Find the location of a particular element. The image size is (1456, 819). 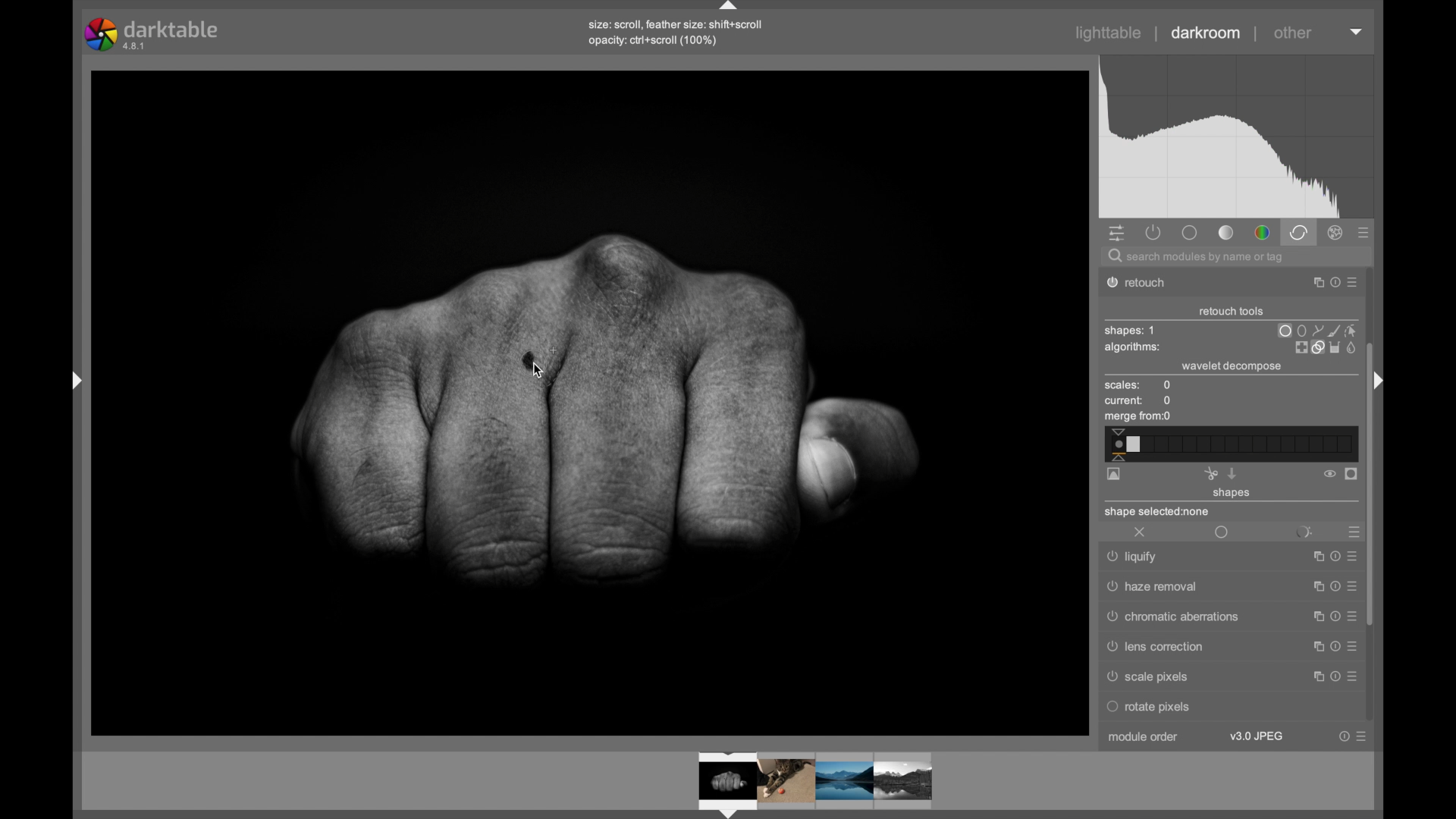

color is located at coordinates (1262, 234).